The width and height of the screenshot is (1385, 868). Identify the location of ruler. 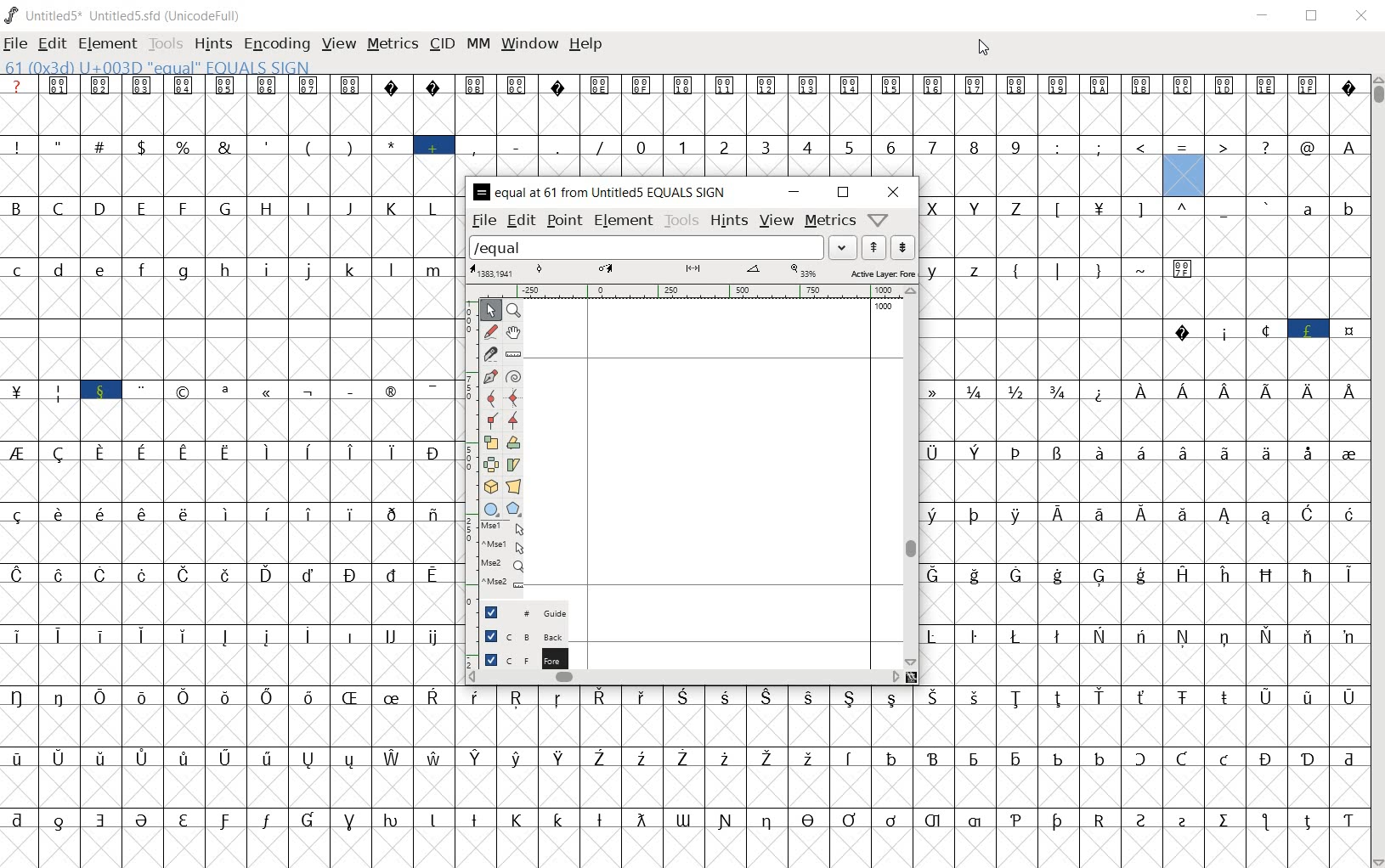
(709, 291).